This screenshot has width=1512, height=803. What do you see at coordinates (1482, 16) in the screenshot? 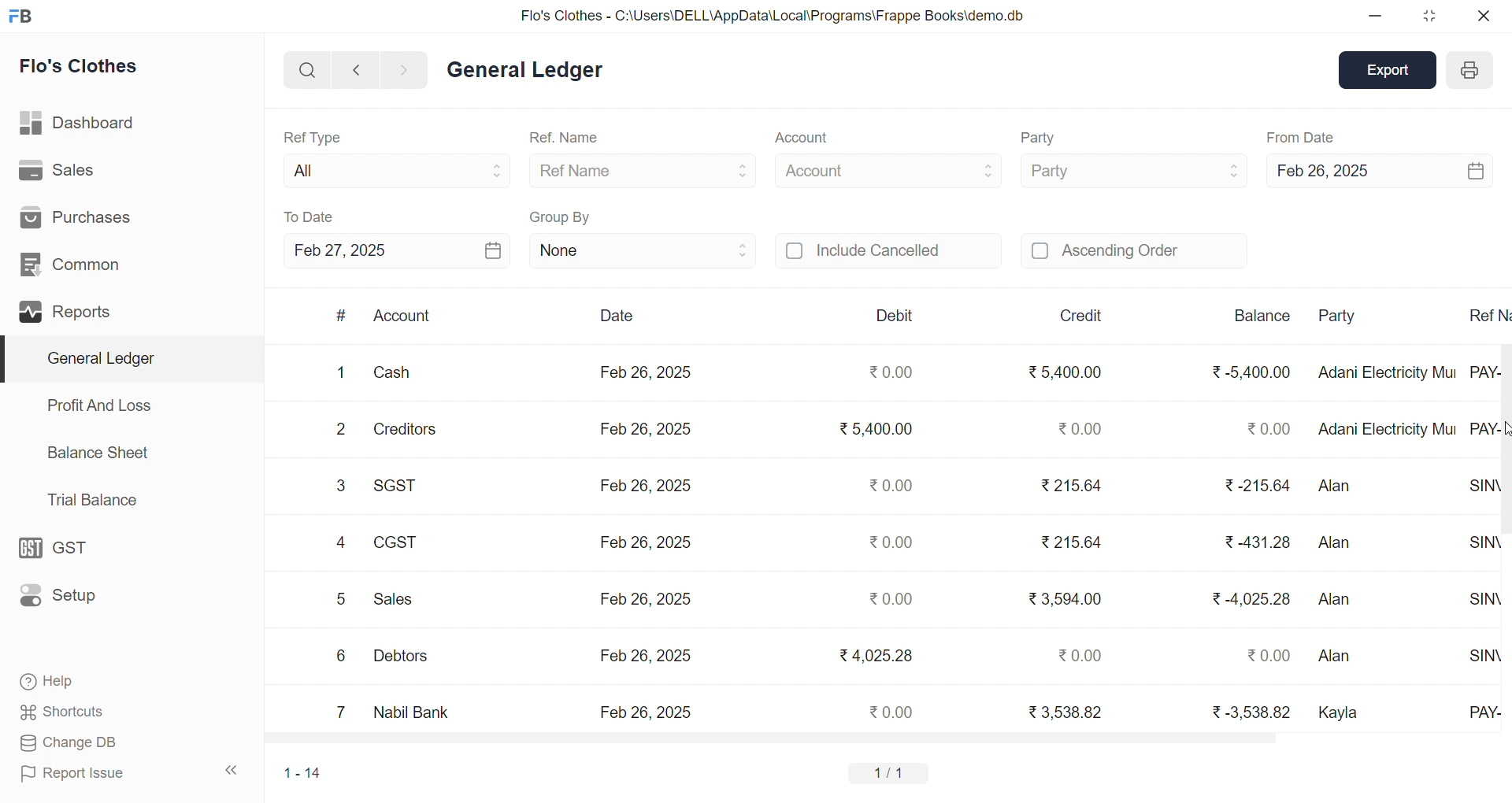
I see `CLOSE` at bounding box center [1482, 16].